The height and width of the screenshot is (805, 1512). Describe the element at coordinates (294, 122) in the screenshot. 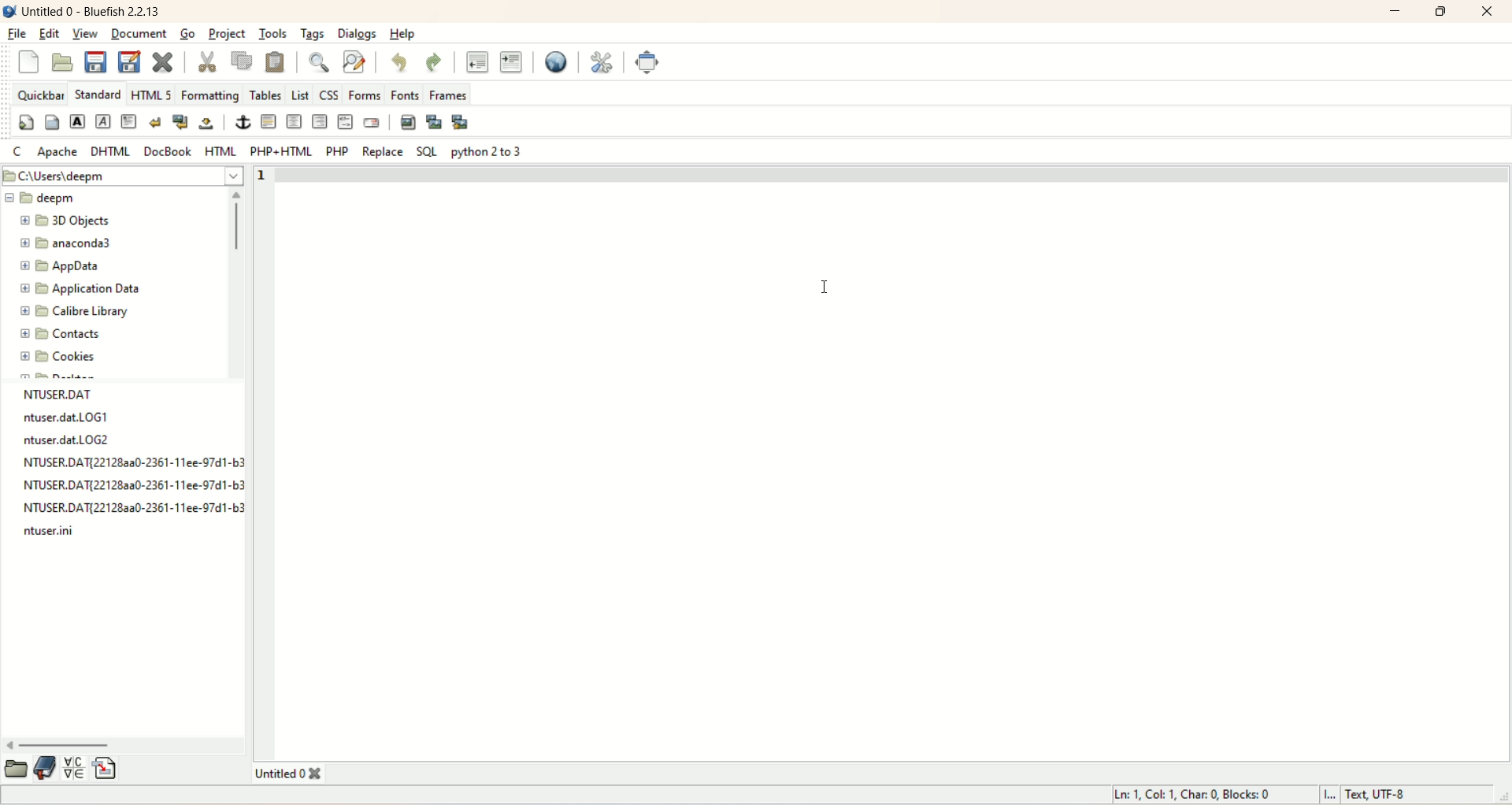

I see `center` at that location.